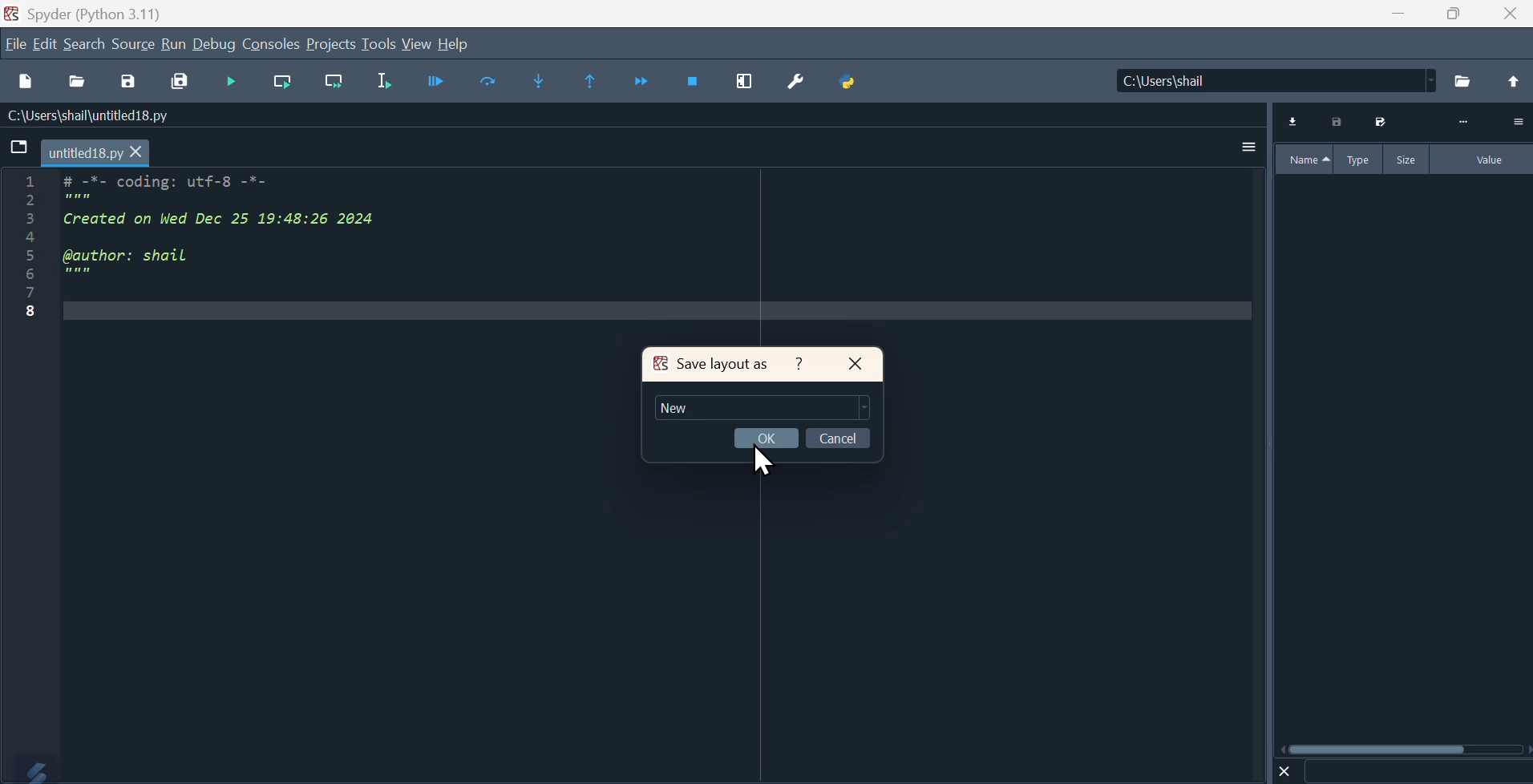 This screenshot has height=784, width=1533. What do you see at coordinates (85, 44) in the screenshot?
I see `Search` at bounding box center [85, 44].